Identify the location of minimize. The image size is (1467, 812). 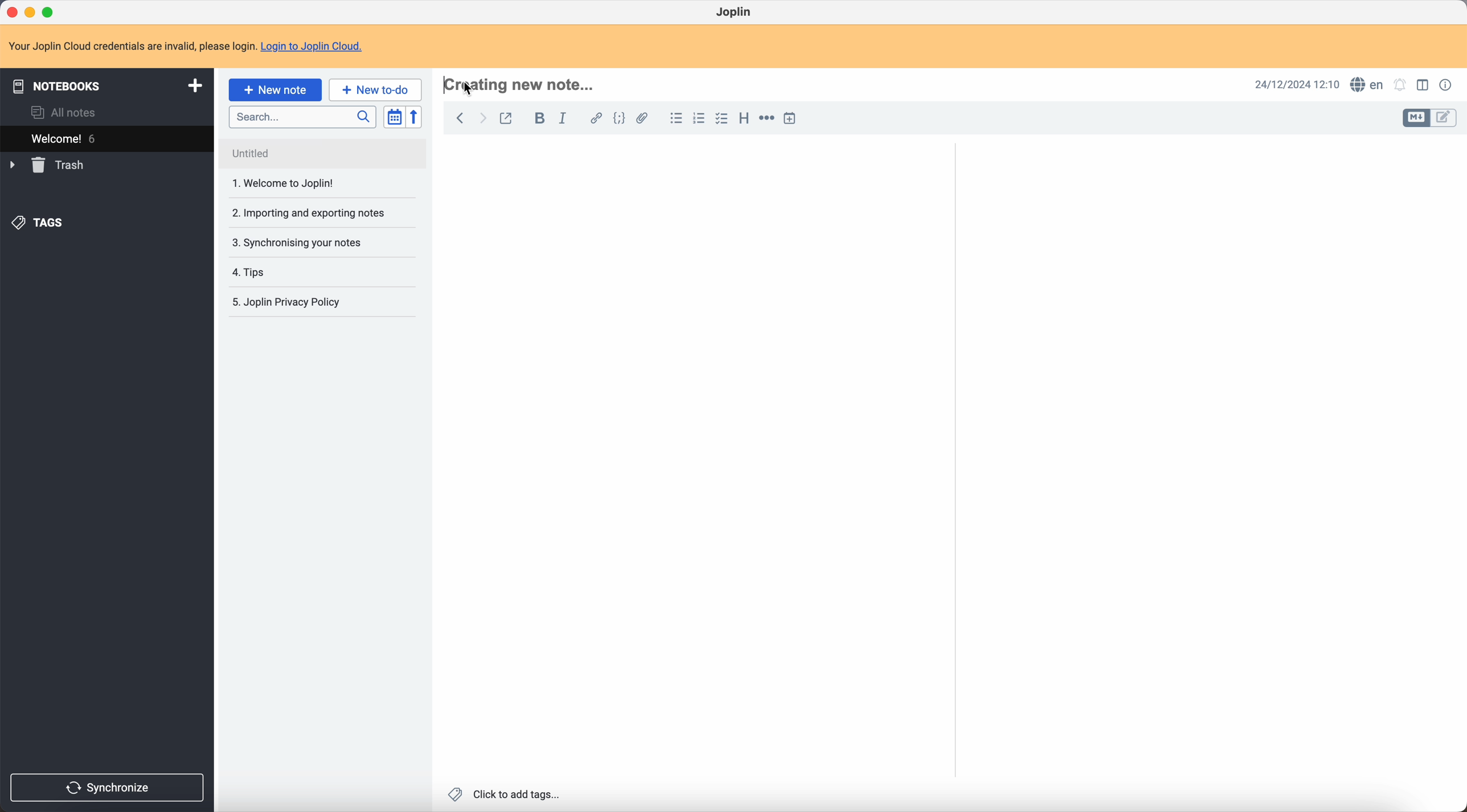
(32, 13).